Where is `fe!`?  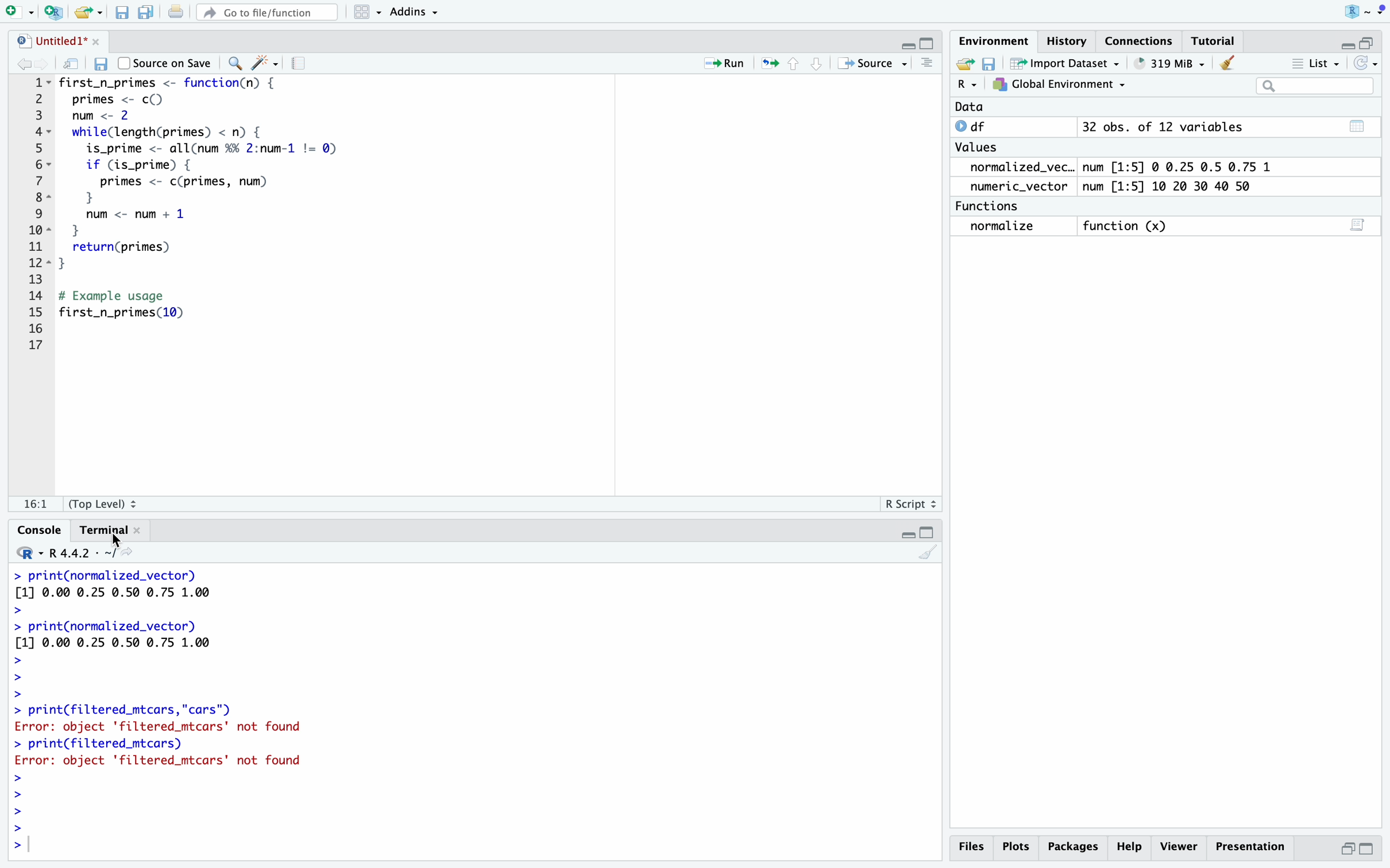 fe! is located at coordinates (36, 503).